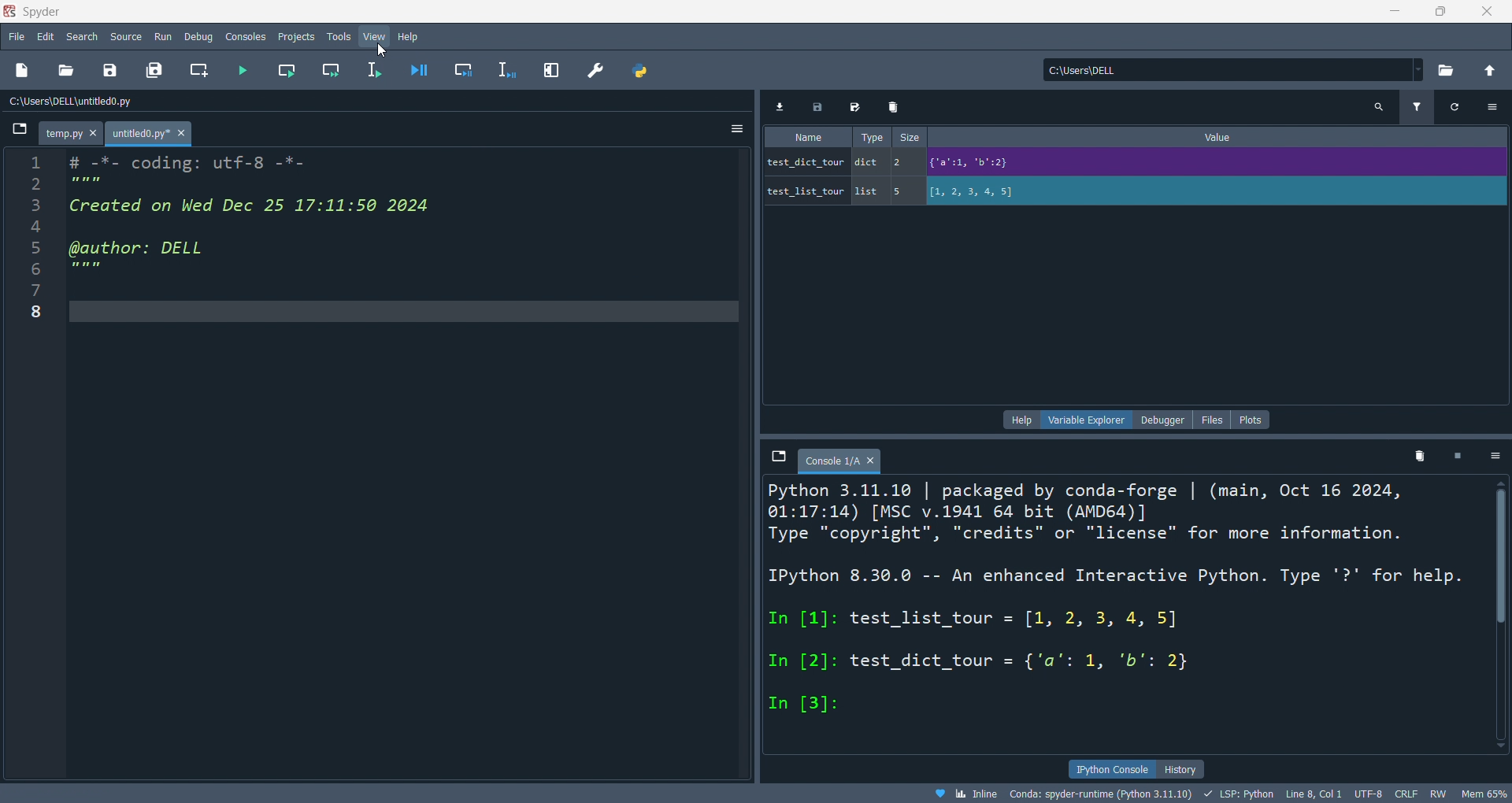 Image resolution: width=1512 pixels, height=803 pixels. Describe the element at coordinates (640, 71) in the screenshot. I see `python path manager` at that location.